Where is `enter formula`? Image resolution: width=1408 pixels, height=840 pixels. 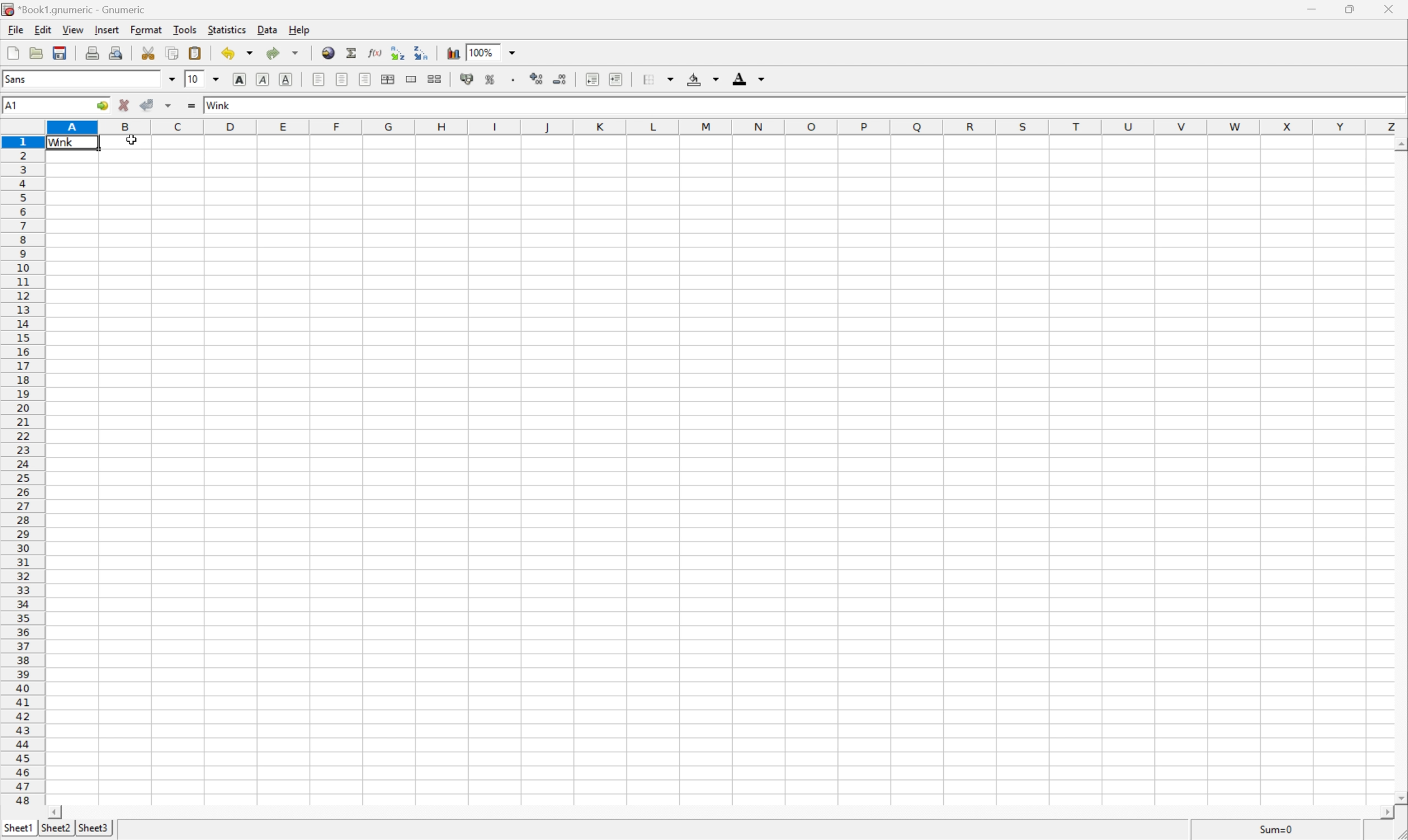
enter formula is located at coordinates (191, 106).